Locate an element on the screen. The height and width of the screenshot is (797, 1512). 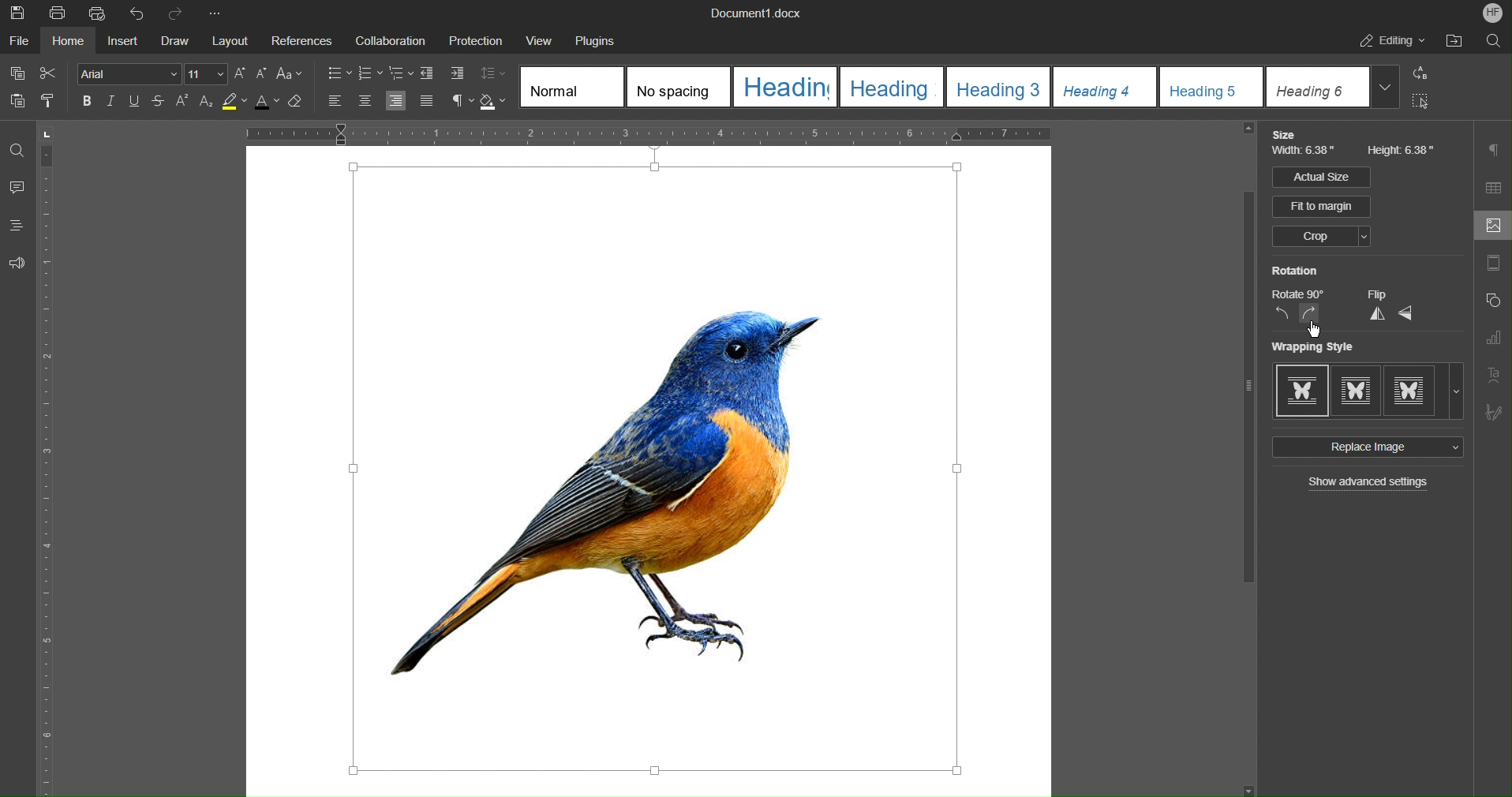
cursor is located at coordinates (1313, 328).